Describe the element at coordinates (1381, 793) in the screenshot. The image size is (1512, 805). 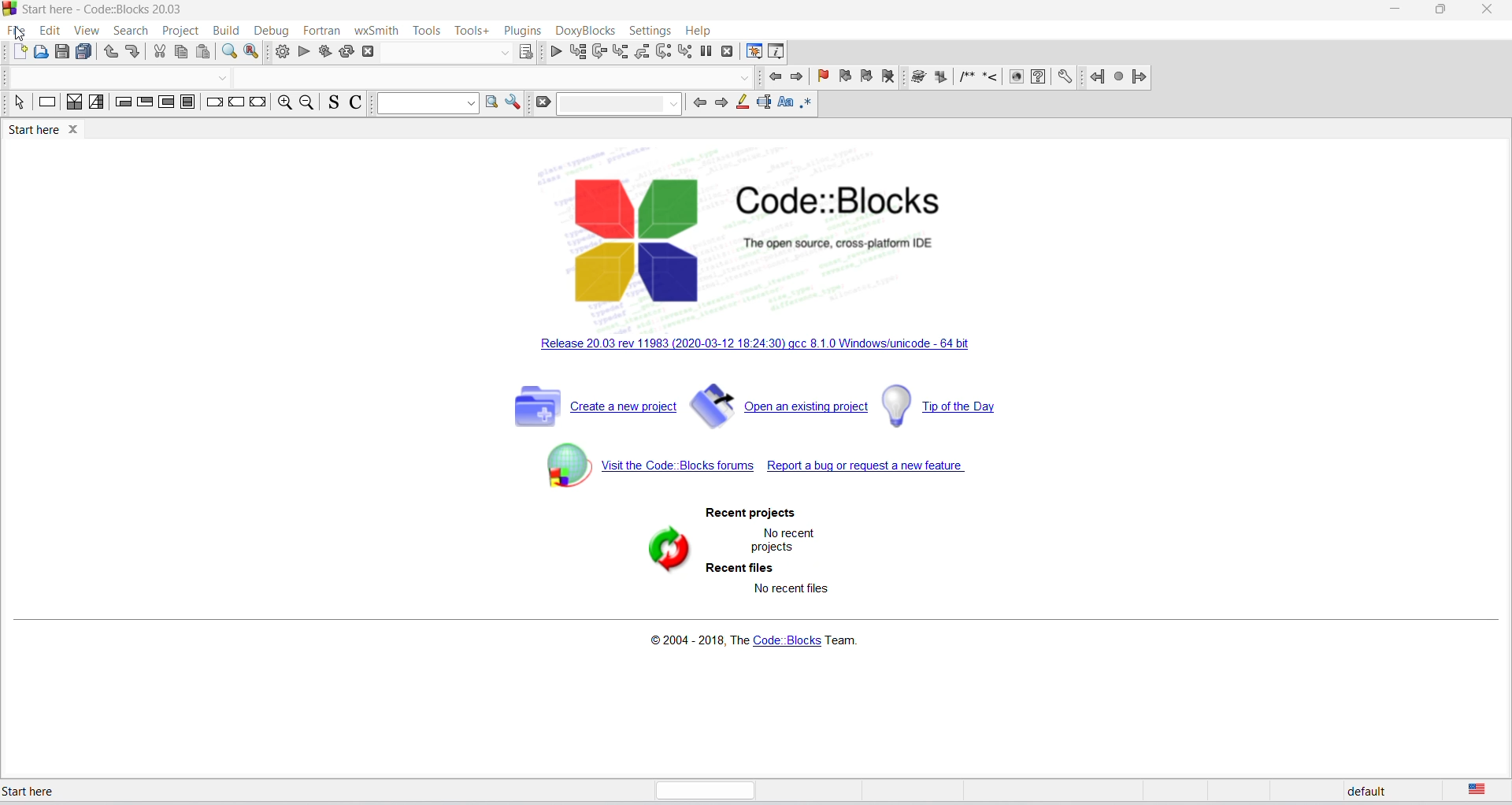
I see `default` at that location.